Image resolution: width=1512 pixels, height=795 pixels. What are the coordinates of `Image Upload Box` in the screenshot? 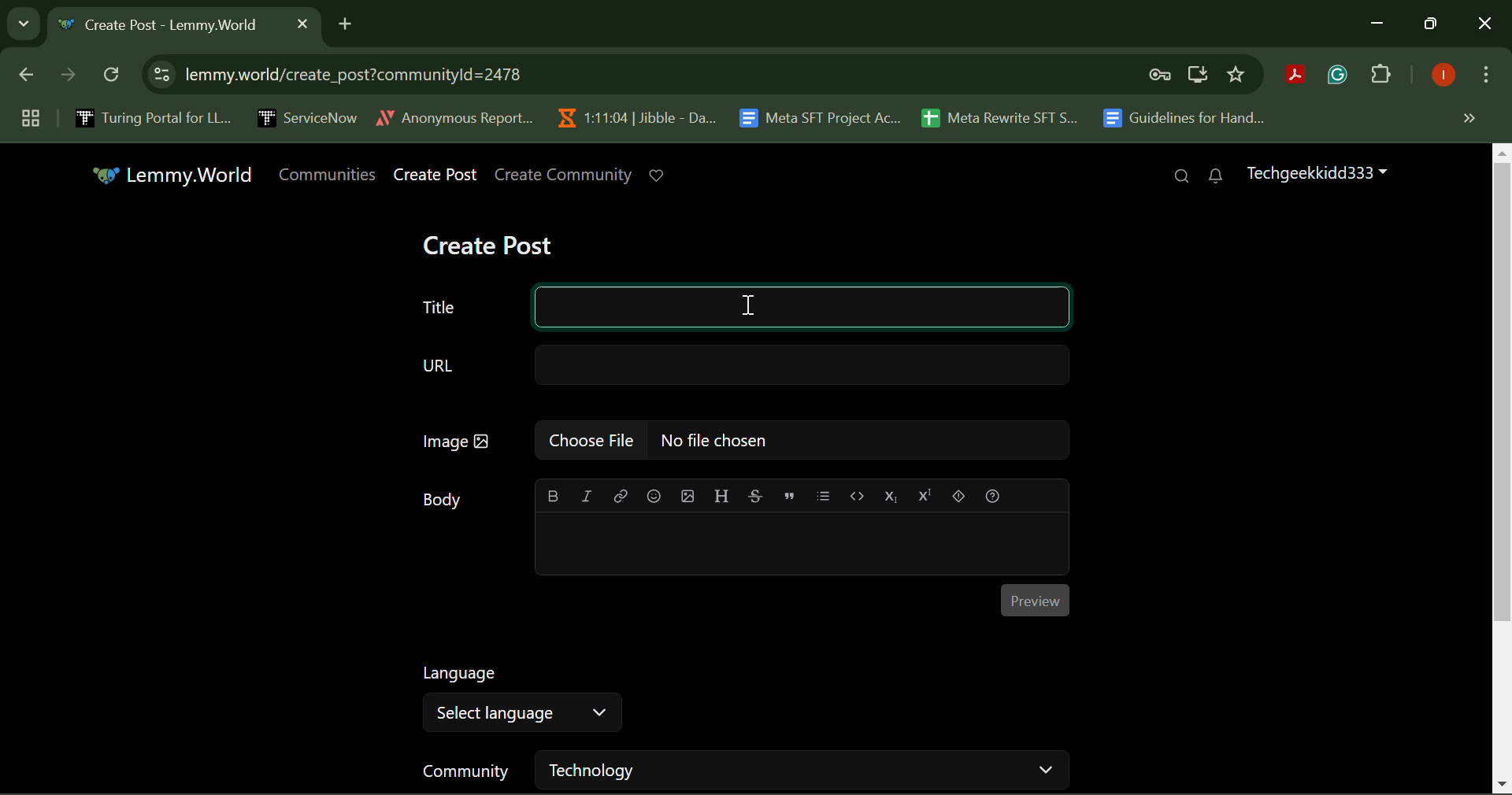 It's located at (741, 439).